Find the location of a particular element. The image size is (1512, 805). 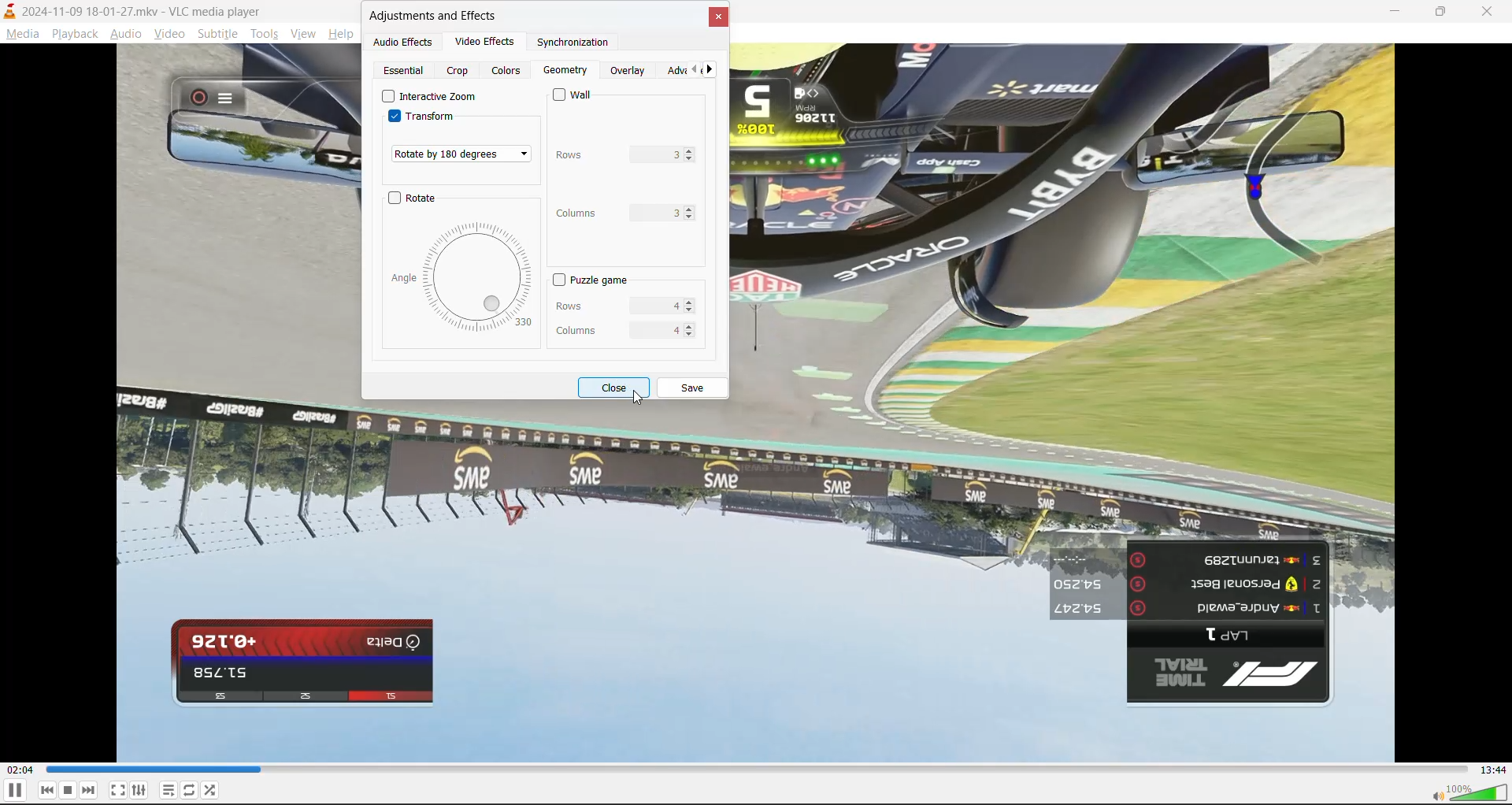

audio is located at coordinates (125, 35).